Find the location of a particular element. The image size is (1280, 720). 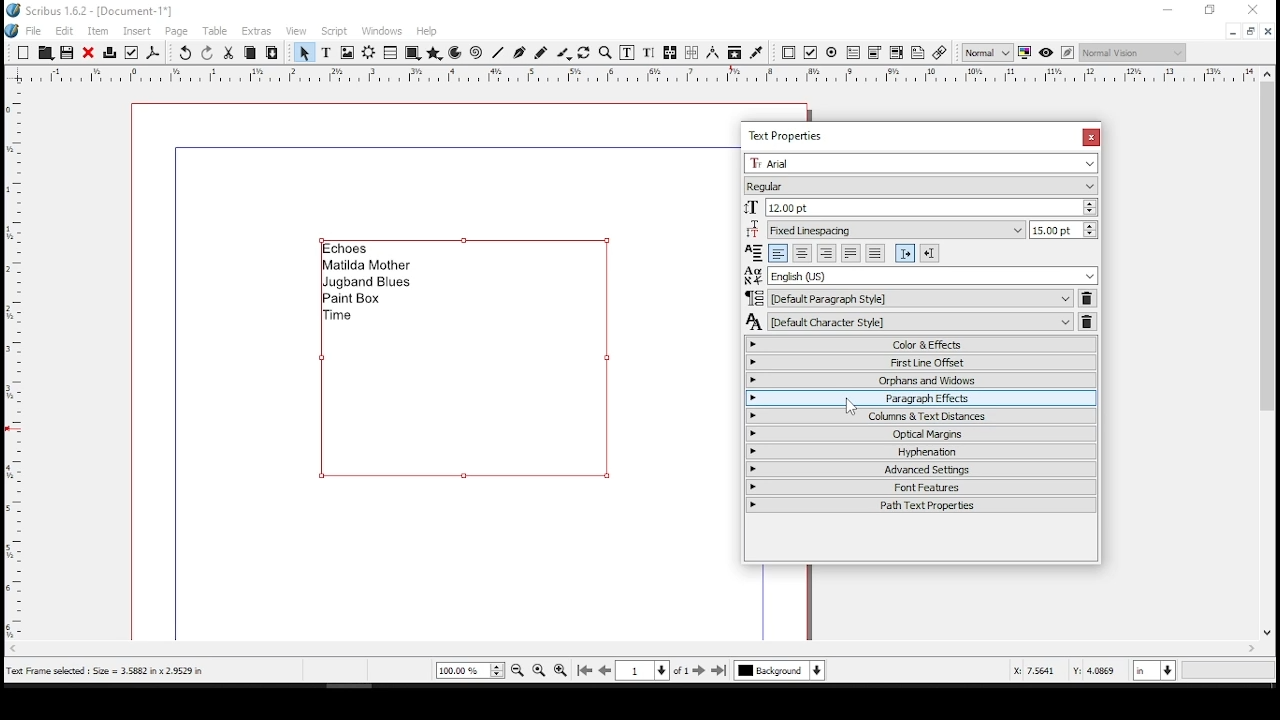

insert is located at coordinates (138, 30).